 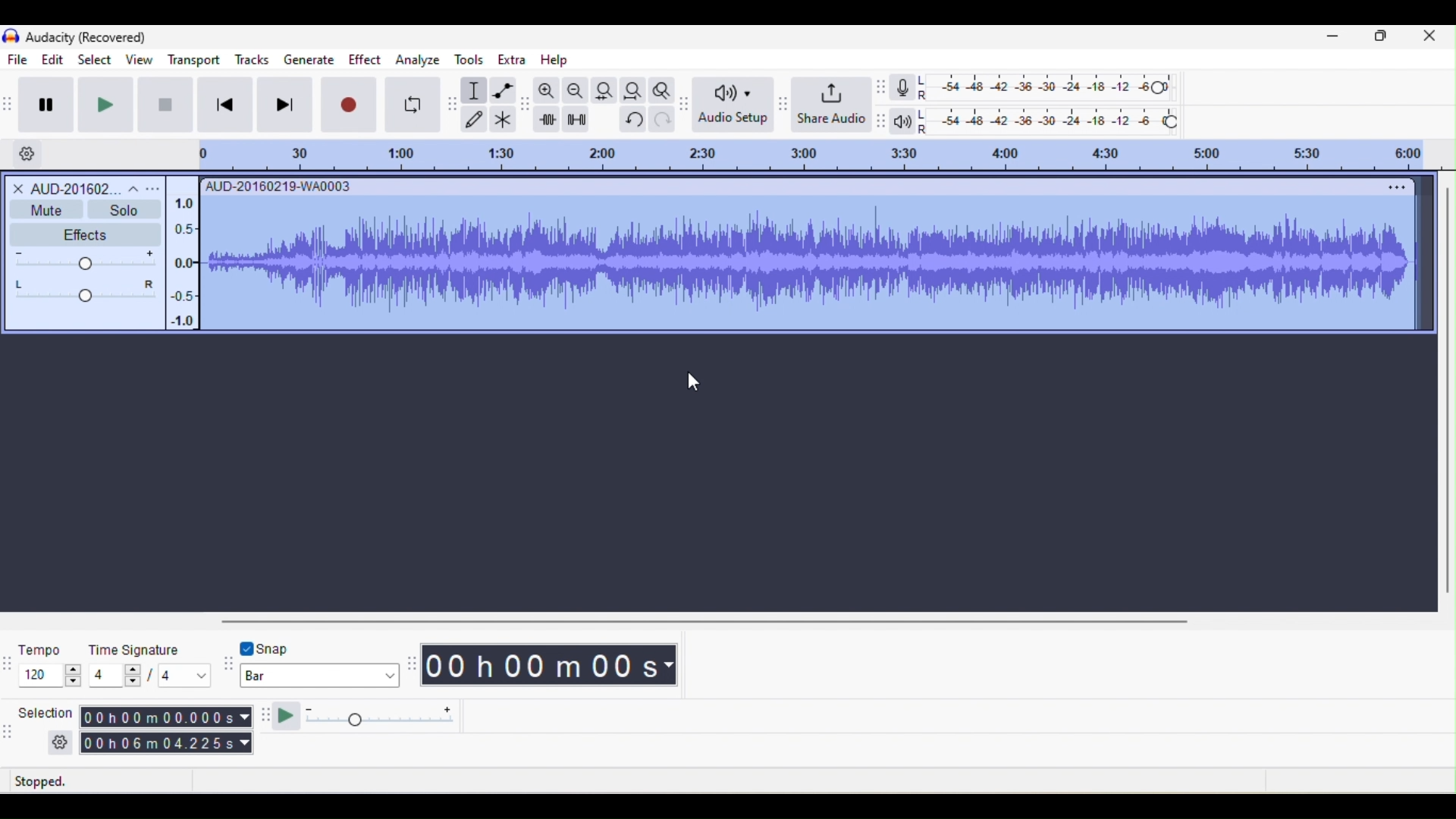 I want to click on zoom toggle, so click(x=662, y=89).